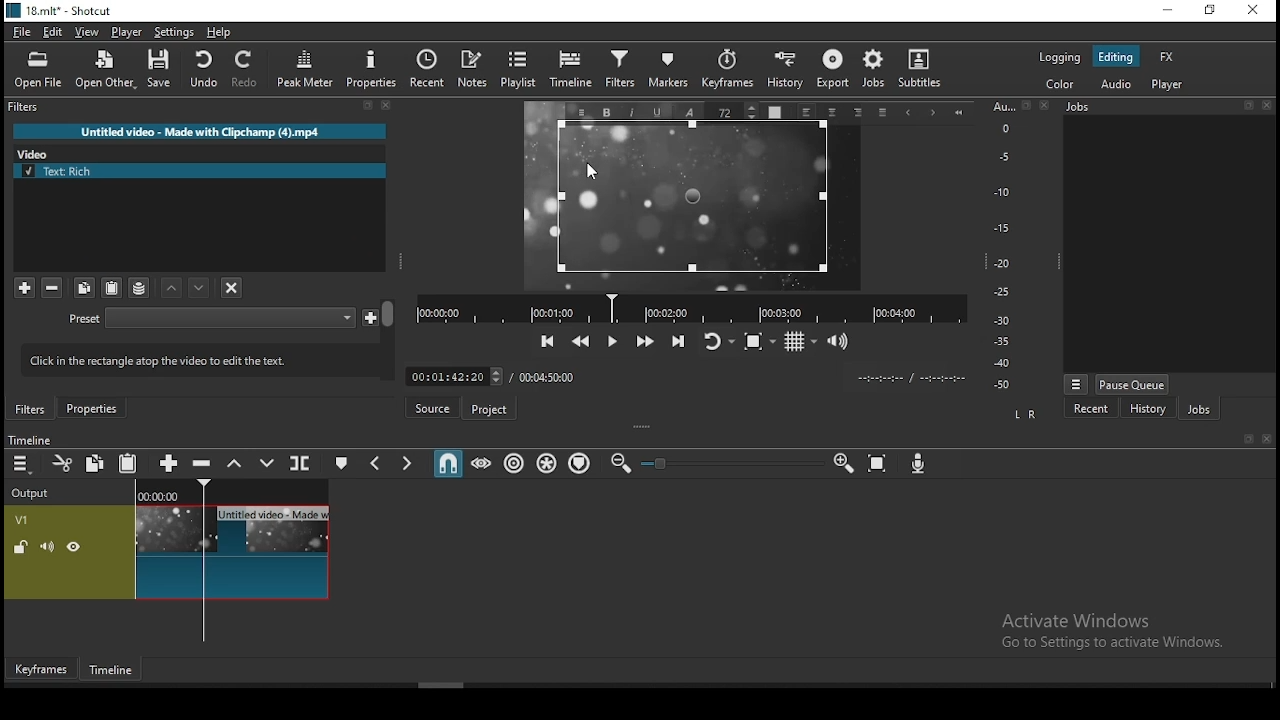 The height and width of the screenshot is (720, 1280). What do you see at coordinates (369, 69) in the screenshot?
I see `properties` at bounding box center [369, 69].